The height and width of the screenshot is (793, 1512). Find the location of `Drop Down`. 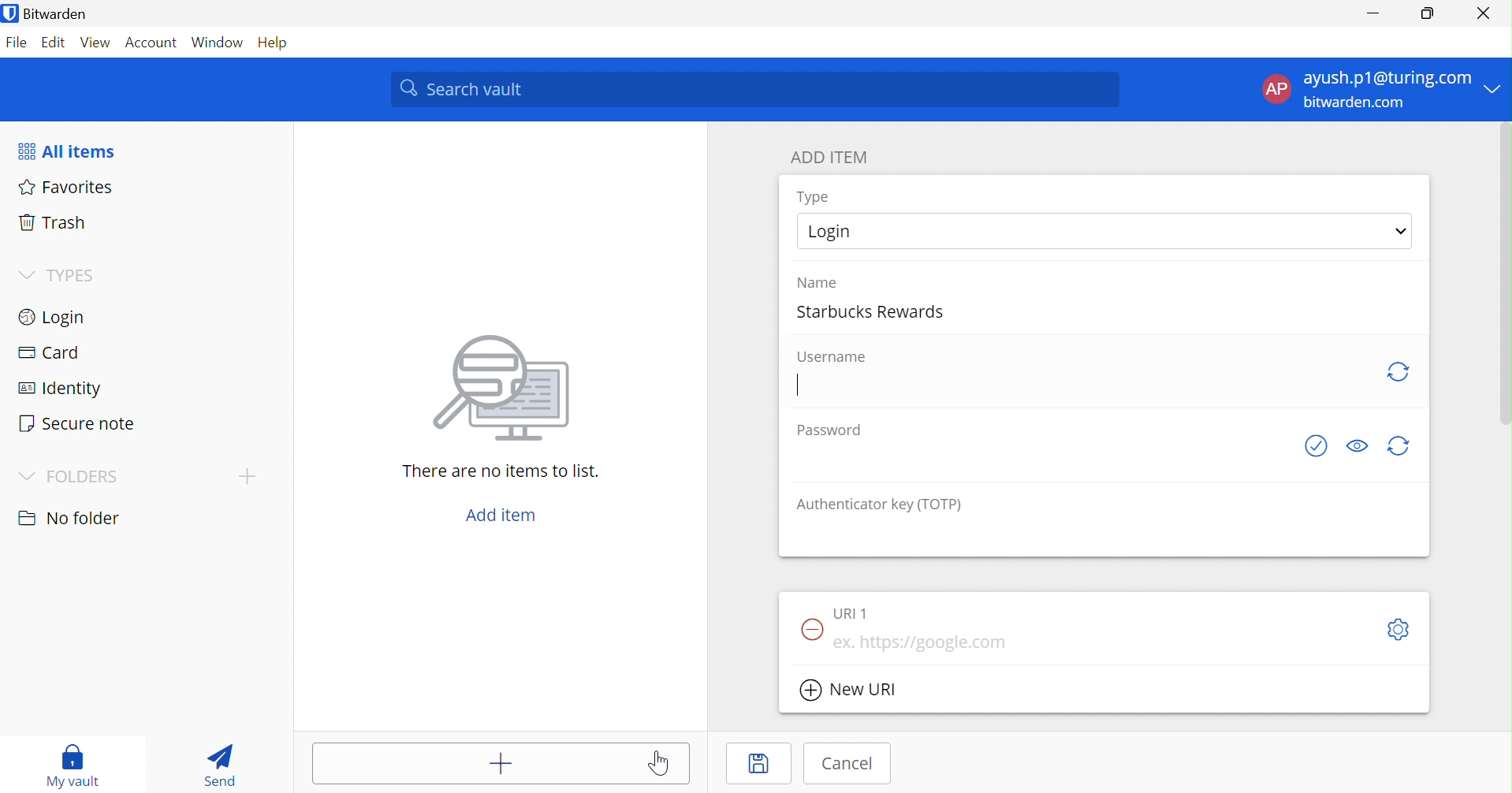

Drop Down is located at coordinates (1496, 87).